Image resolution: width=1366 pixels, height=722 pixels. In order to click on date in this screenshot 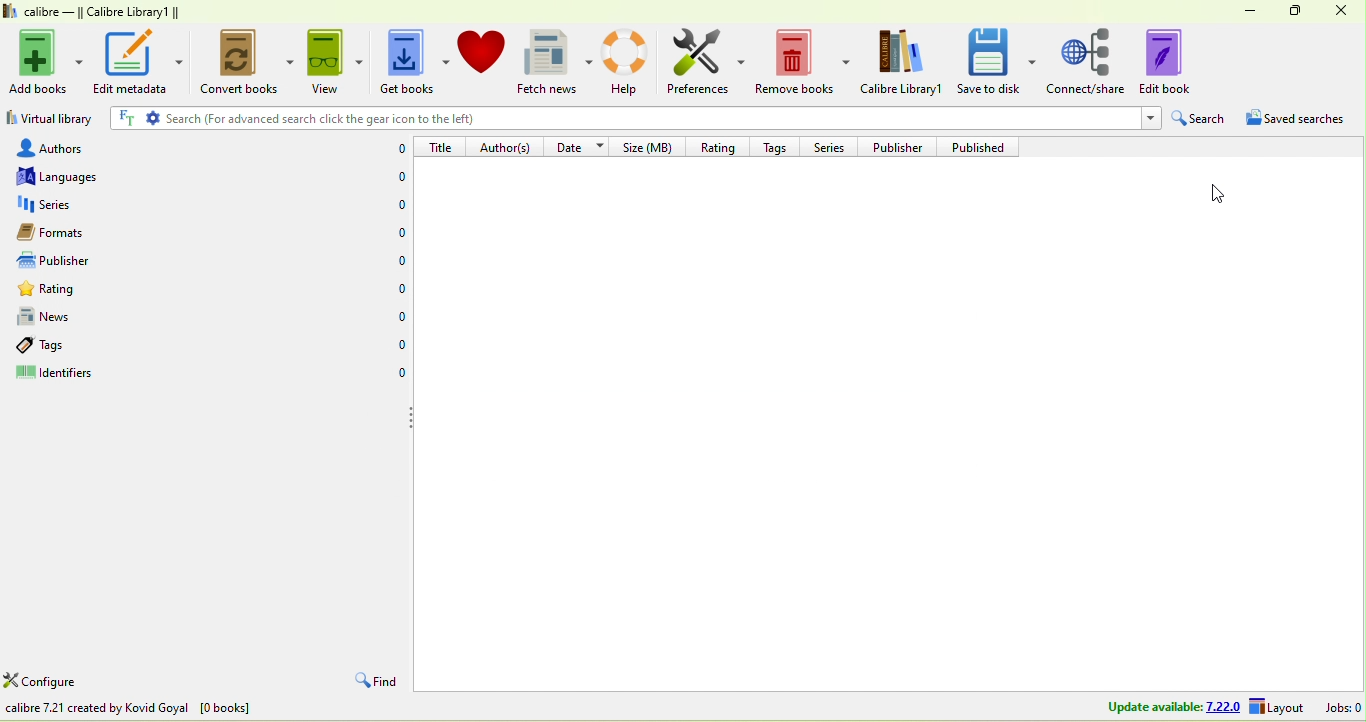, I will do `click(580, 145)`.